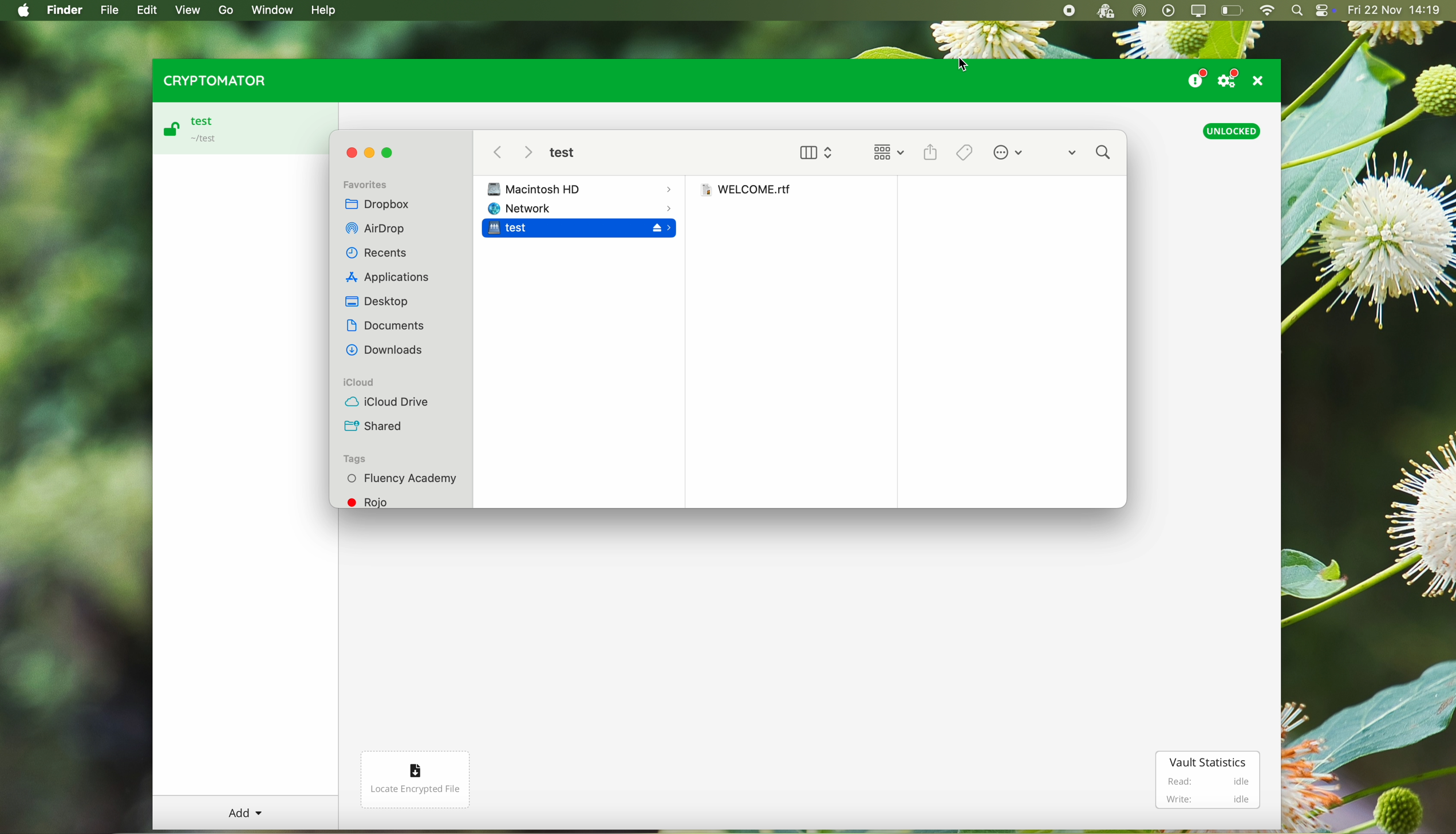 Image resolution: width=1456 pixels, height=834 pixels. Describe the element at coordinates (1067, 11) in the screenshot. I see `stop recording` at that location.